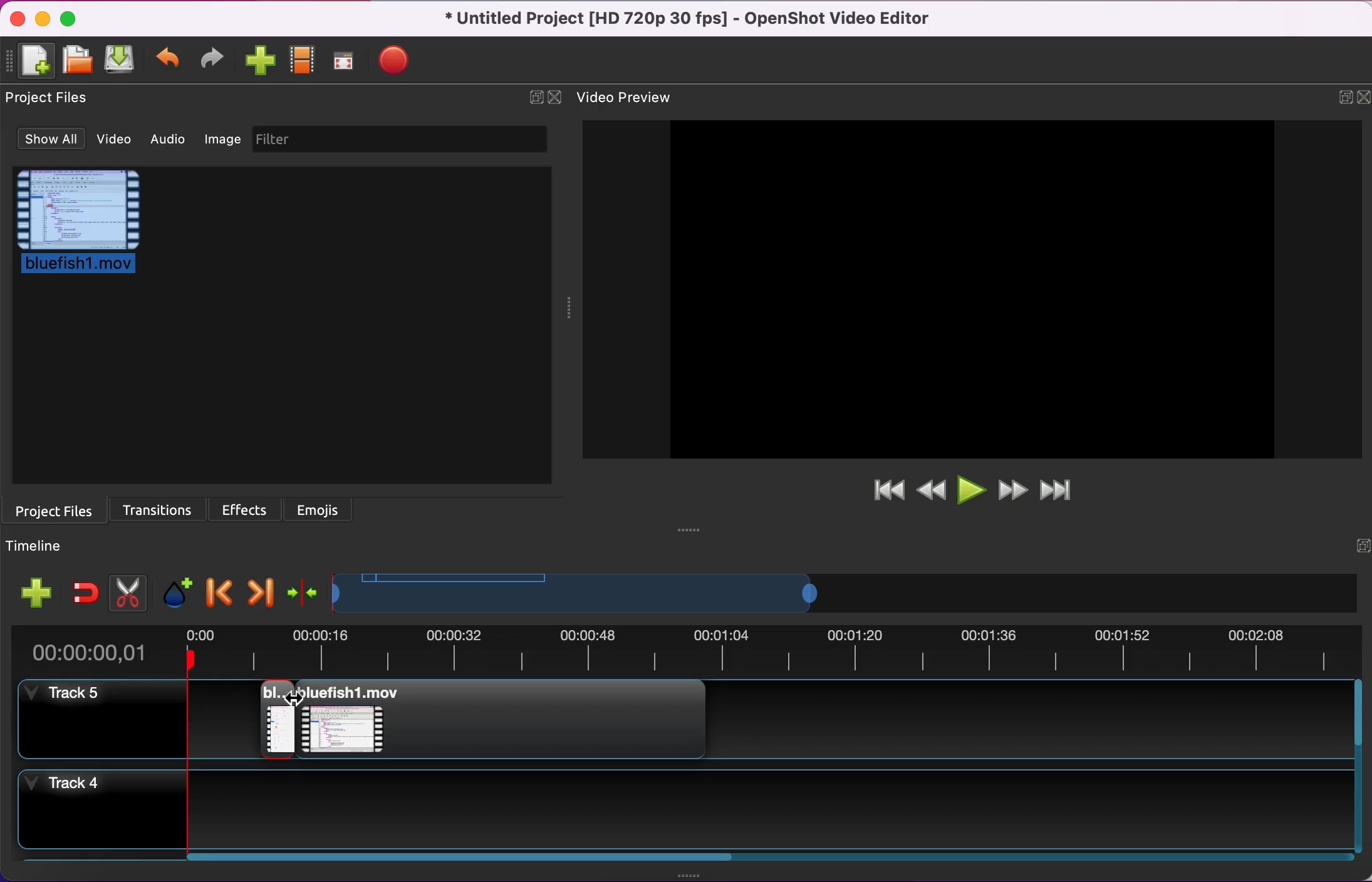  What do you see at coordinates (170, 142) in the screenshot?
I see `audio` at bounding box center [170, 142].